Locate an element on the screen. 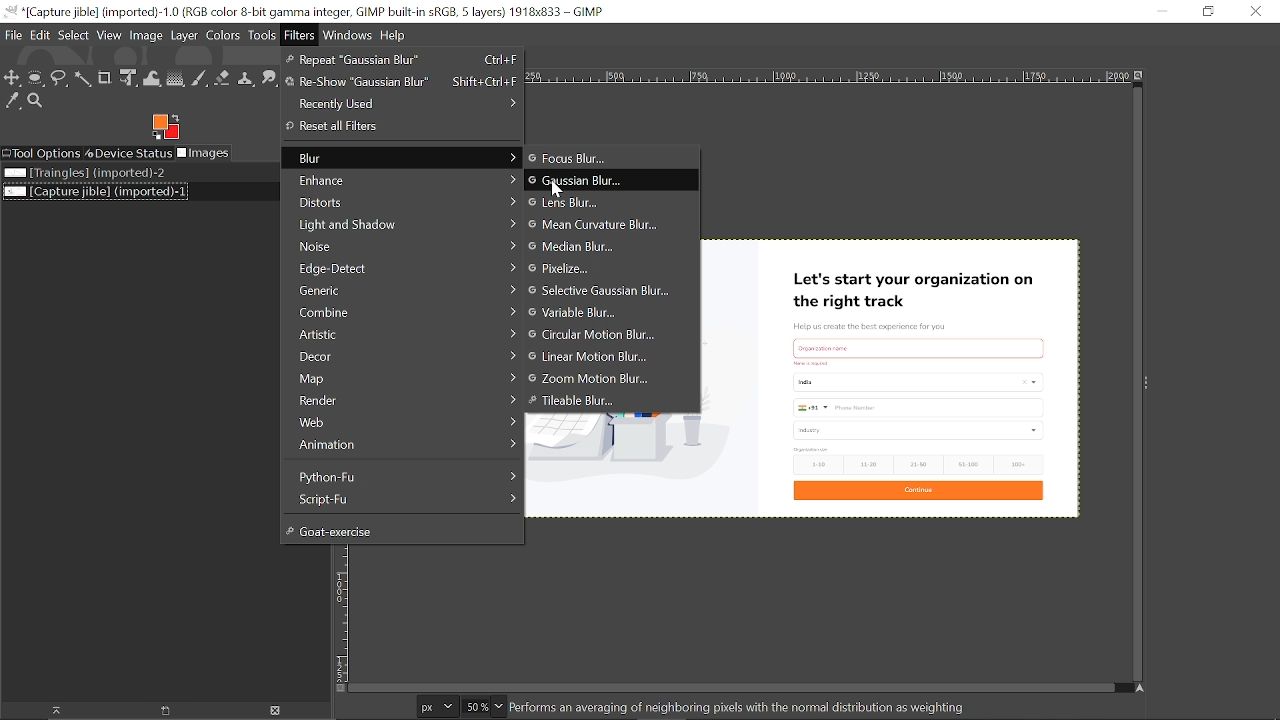  Move tool is located at coordinates (13, 79).